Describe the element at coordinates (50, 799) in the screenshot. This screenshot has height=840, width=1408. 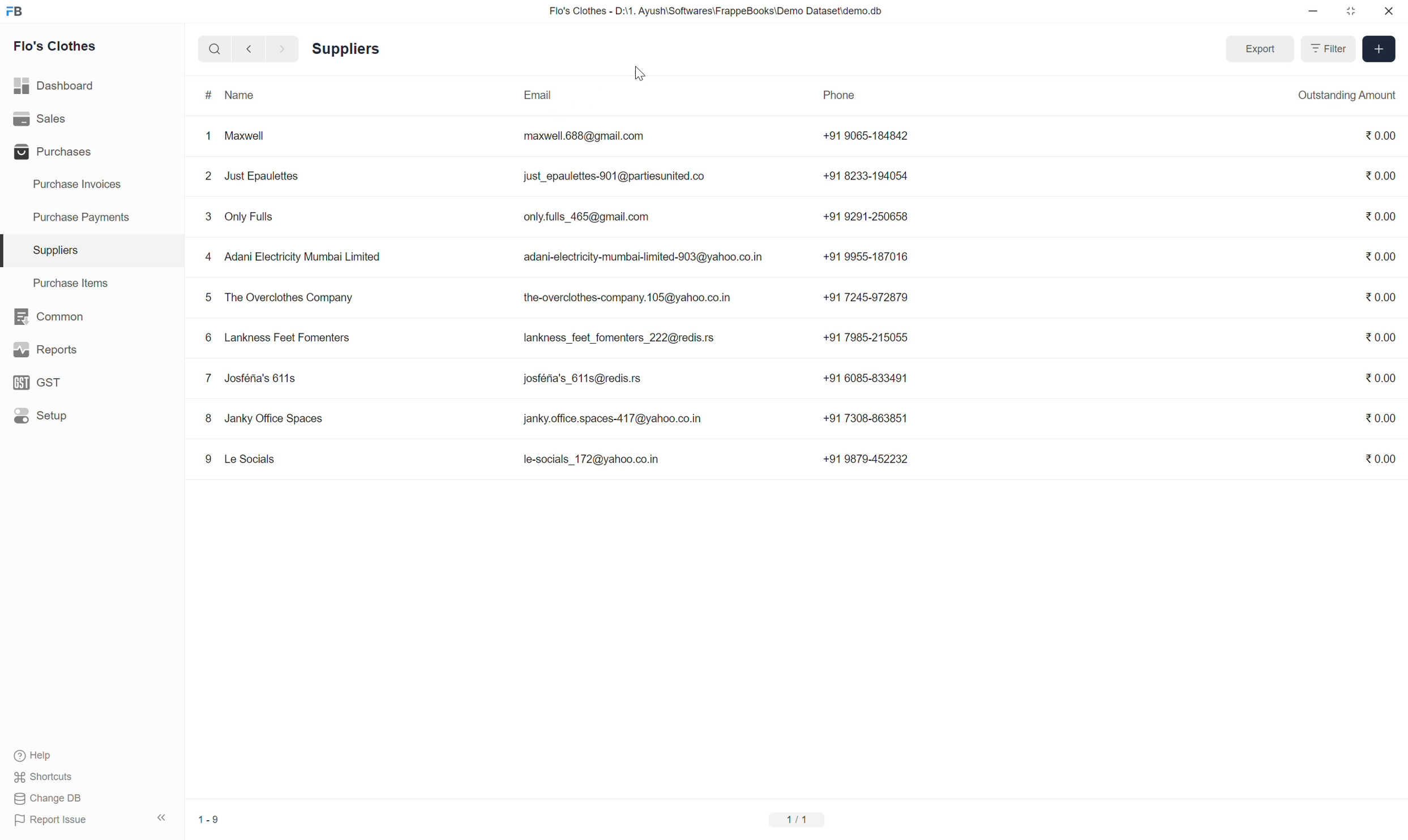
I see `Change DB` at that location.